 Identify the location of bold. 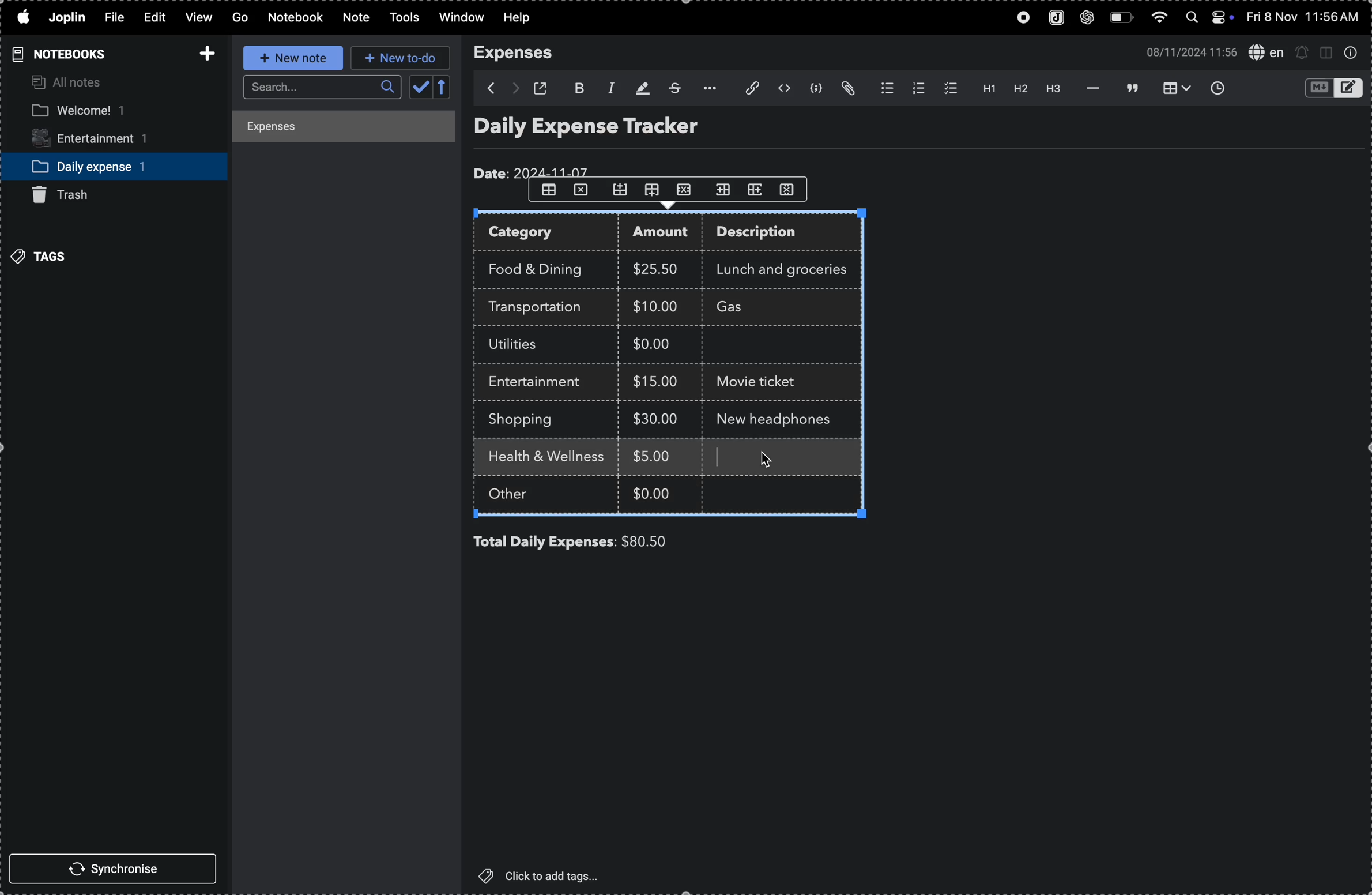
(578, 87).